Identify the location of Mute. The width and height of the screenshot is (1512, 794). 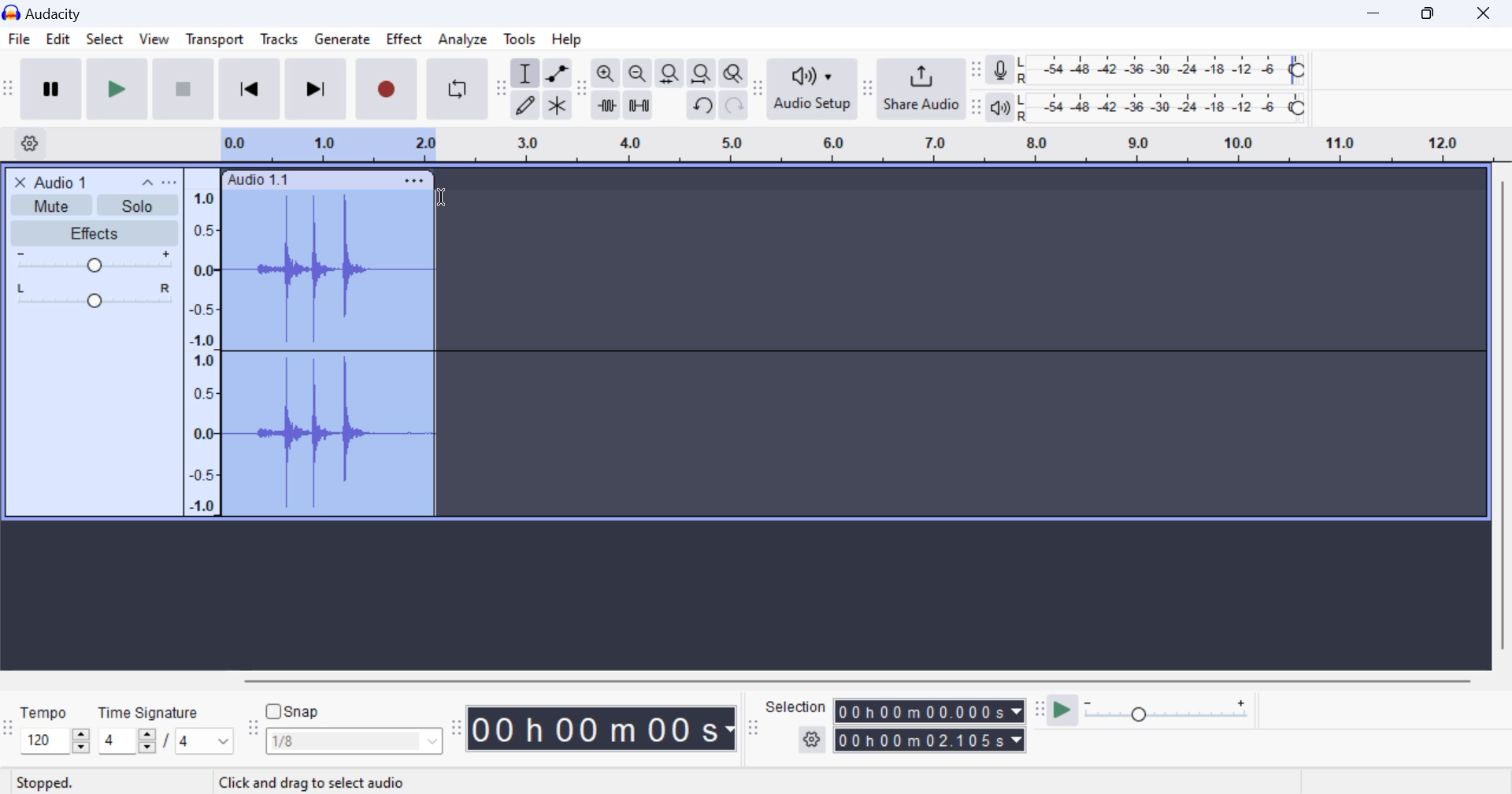
(54, 204).